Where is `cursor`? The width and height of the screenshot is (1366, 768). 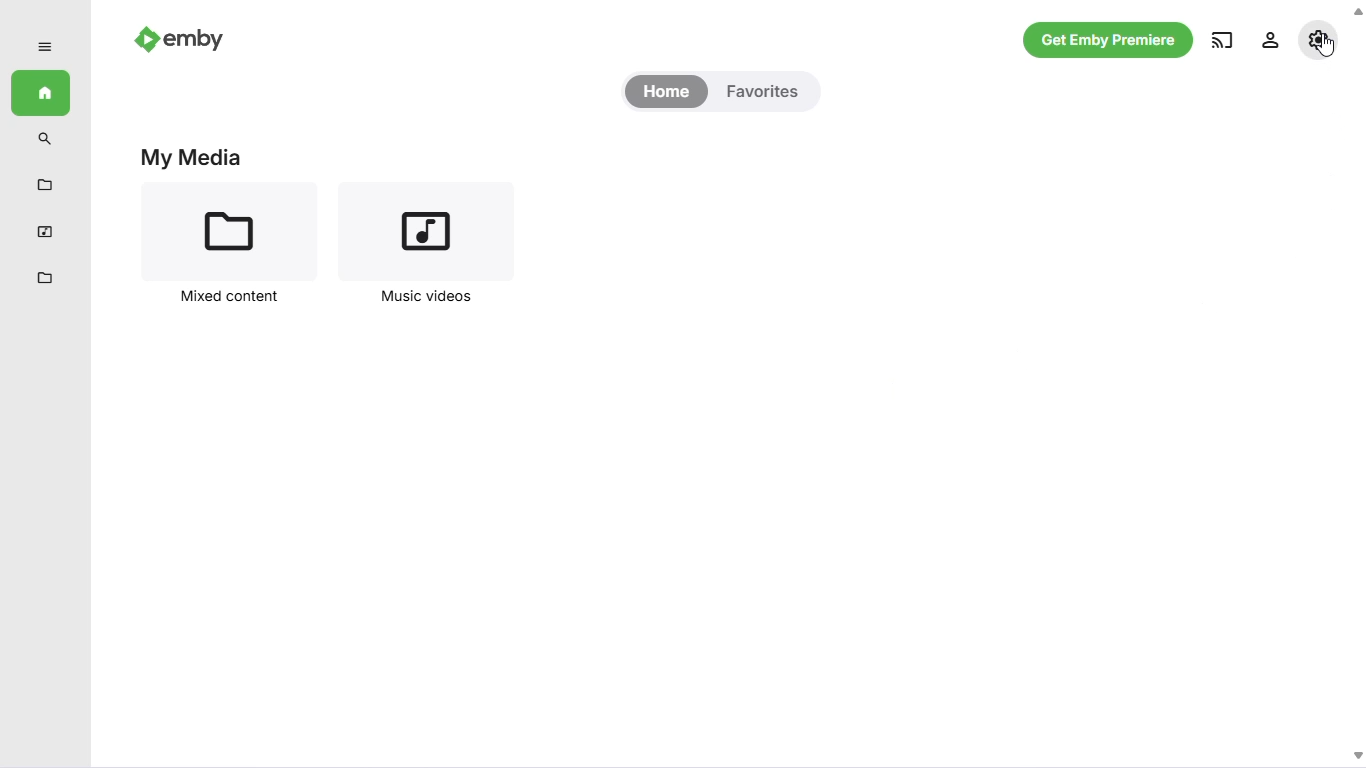 cursor is located at coordinates (1325, 50).